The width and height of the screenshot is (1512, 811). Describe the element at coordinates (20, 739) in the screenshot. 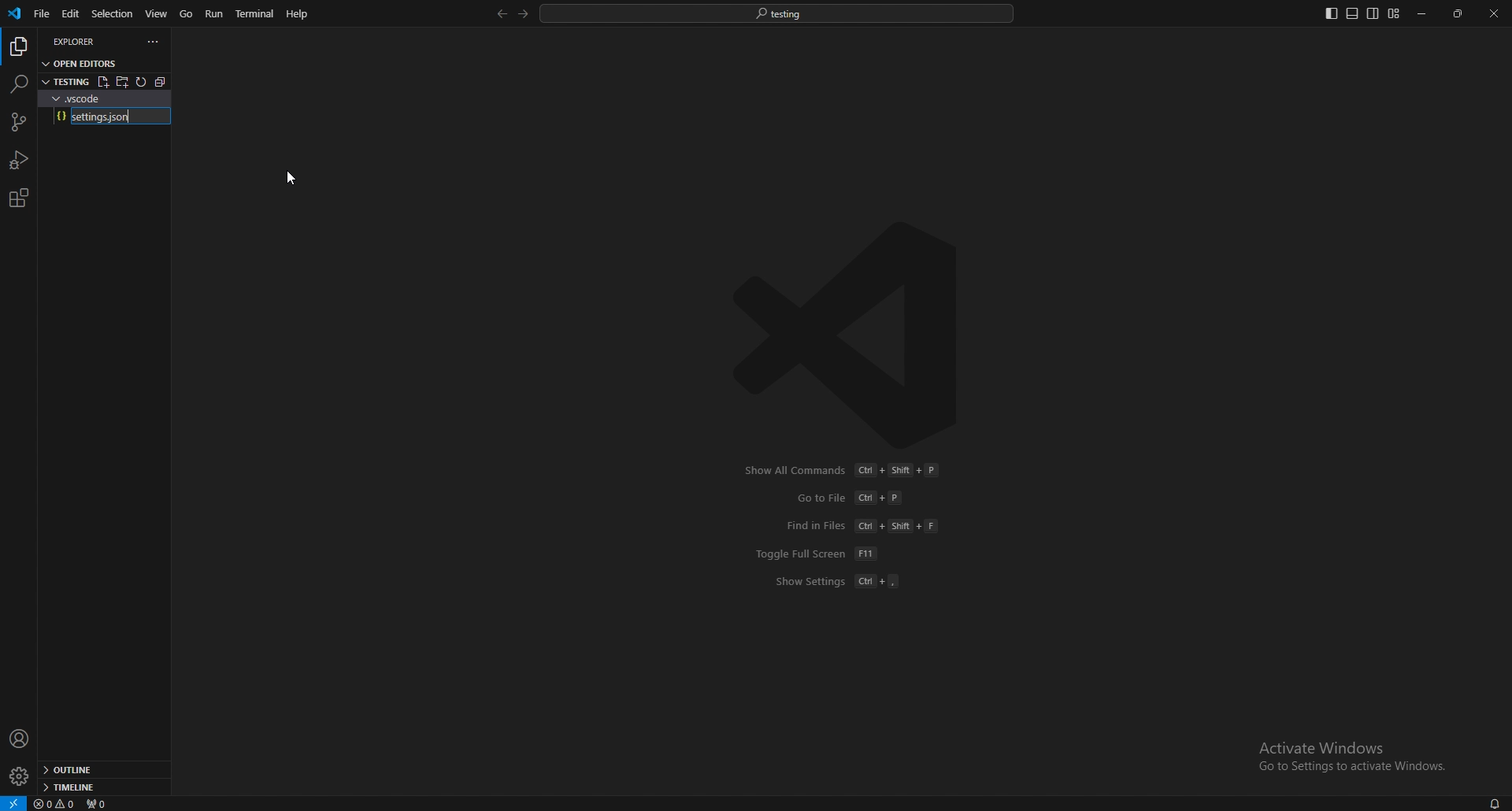

I see `profile` at that location.